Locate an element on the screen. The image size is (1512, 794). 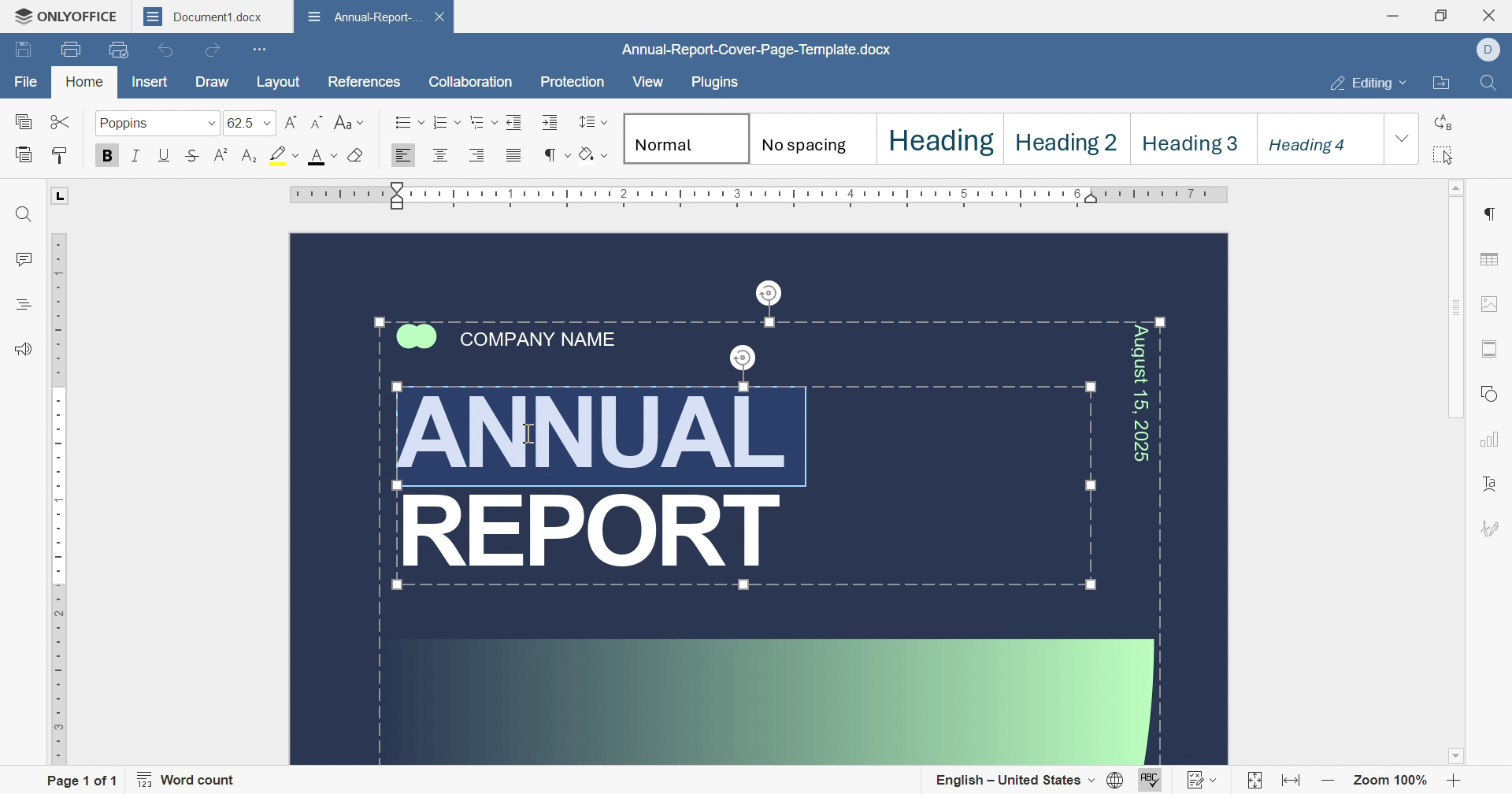
english - united states is located at coordinates (1015, 781).